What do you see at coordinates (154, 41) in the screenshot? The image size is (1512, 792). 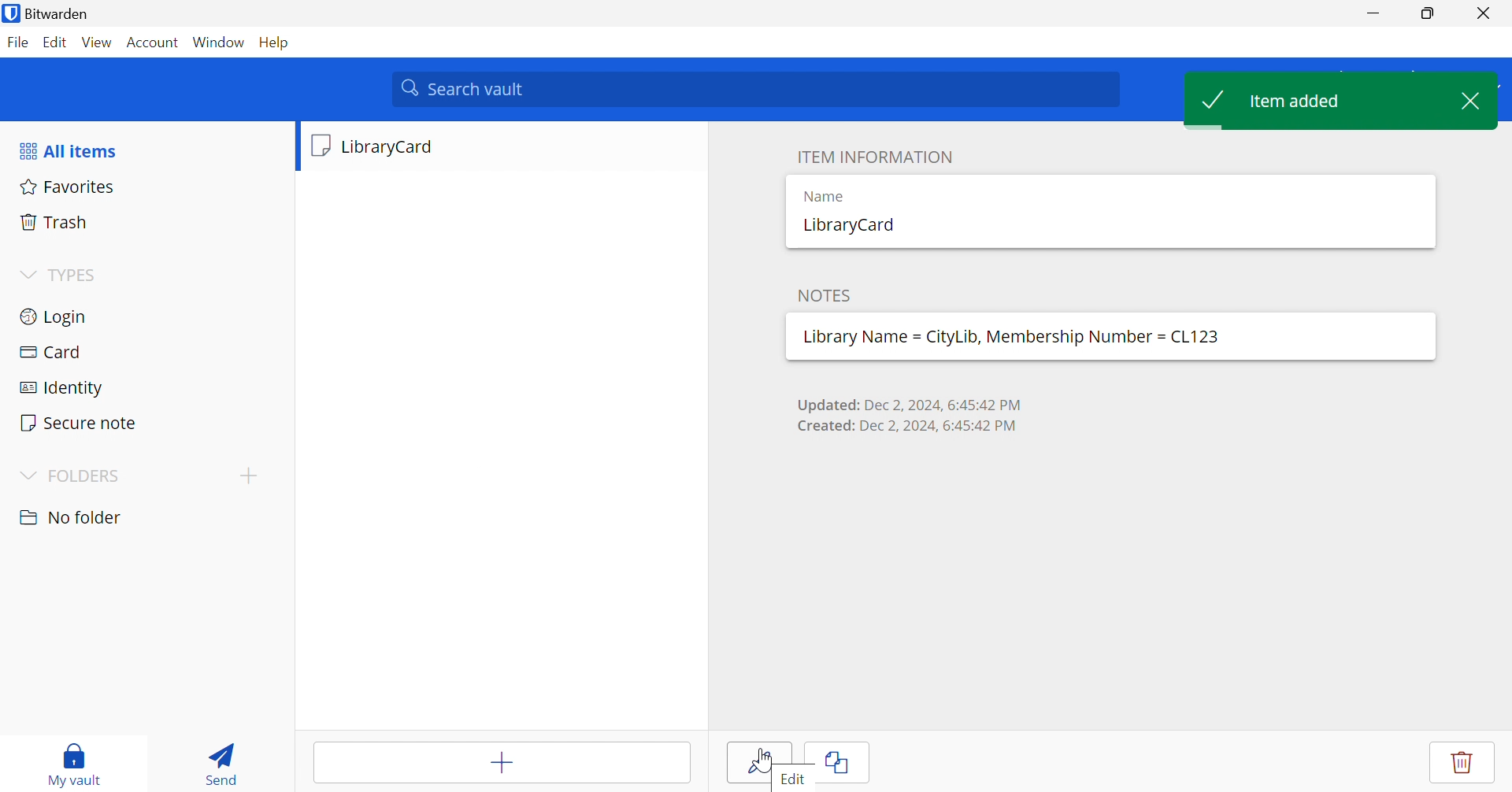 I see `Account` at bounding box center [154, 41].